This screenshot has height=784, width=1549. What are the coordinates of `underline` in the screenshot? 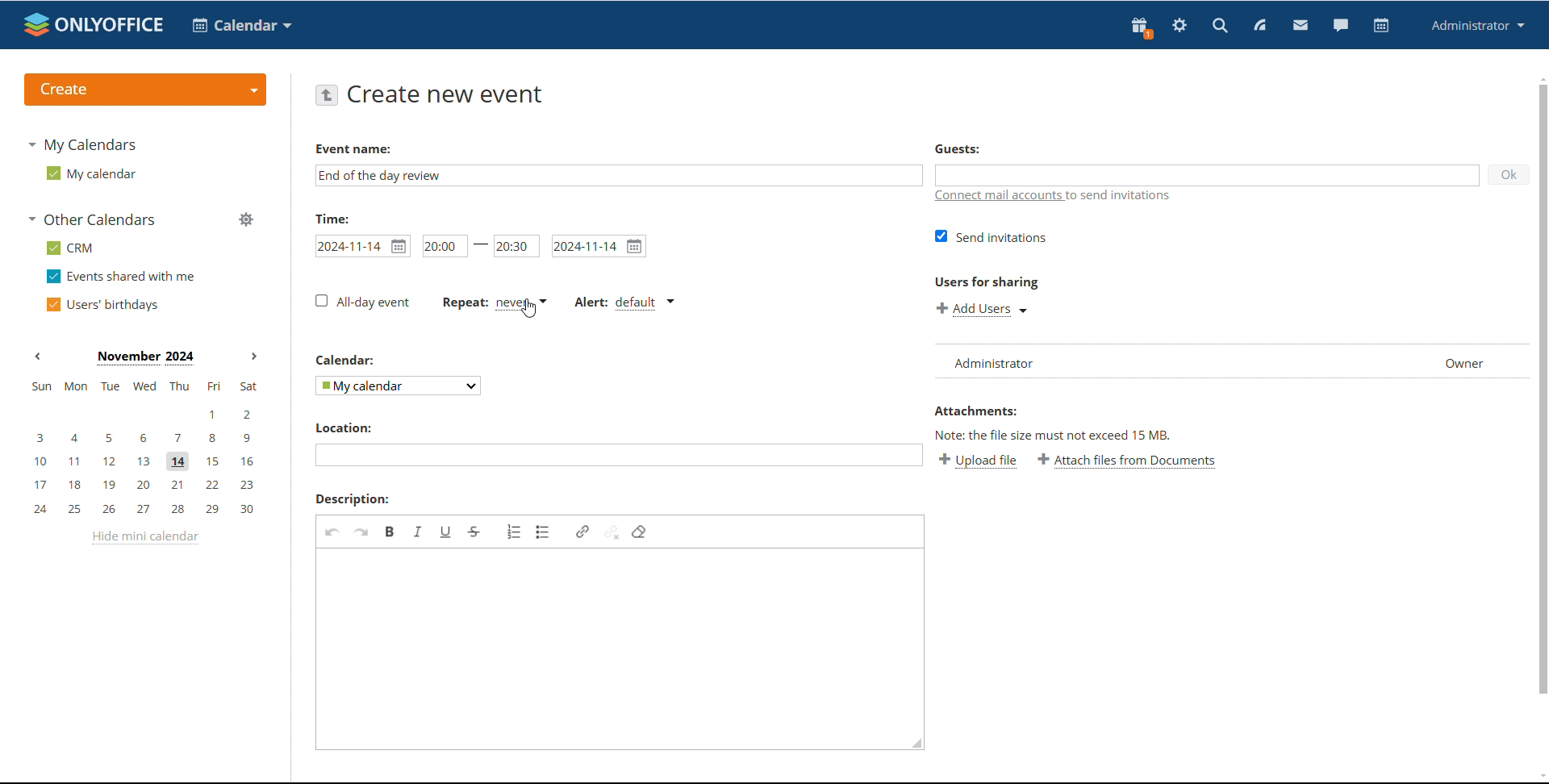 It's located at (446, 532).